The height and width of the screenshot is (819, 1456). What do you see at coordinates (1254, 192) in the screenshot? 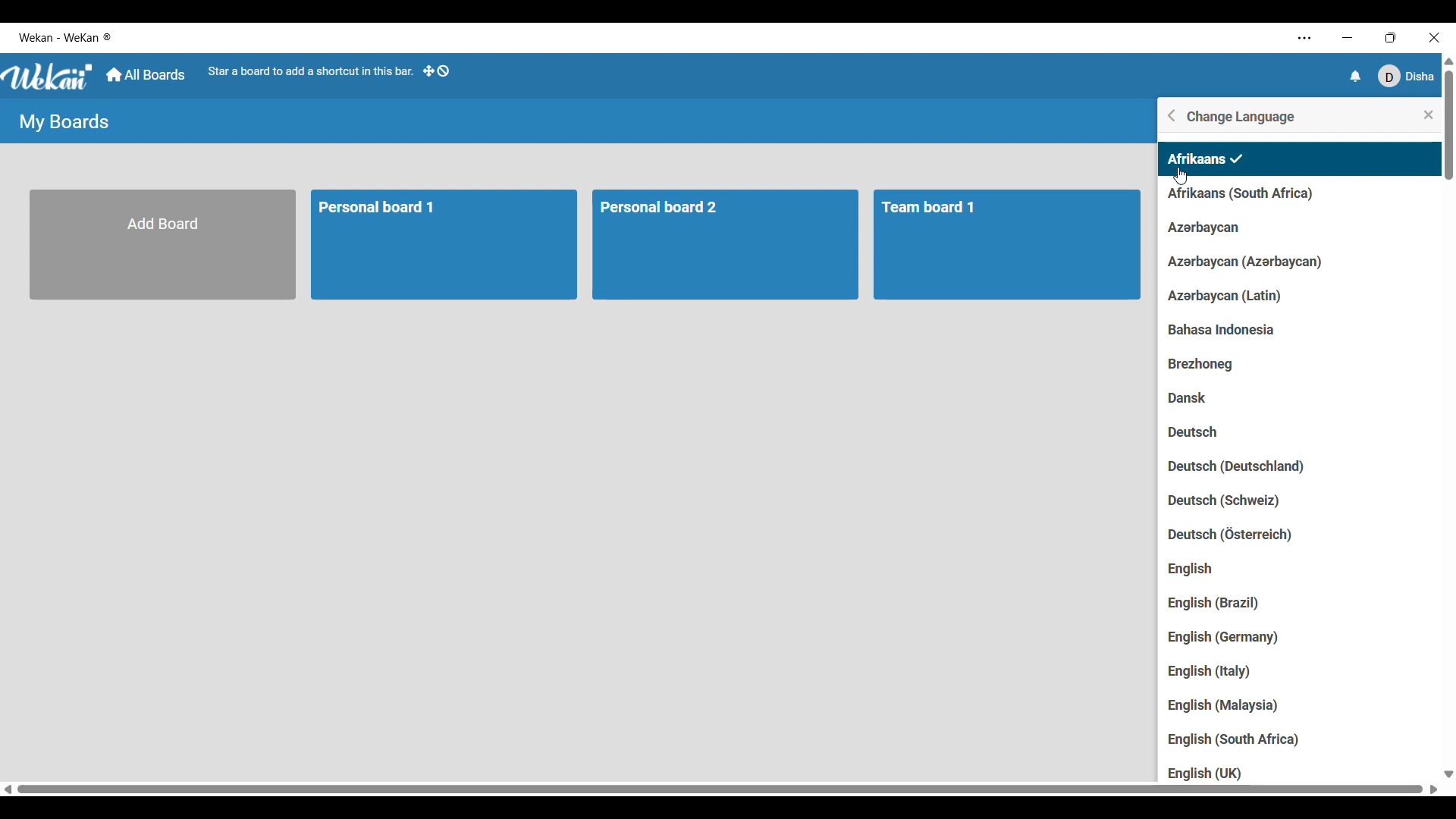
I see `Afrikaans (South Africa)` at bounding box center [1254, 192].